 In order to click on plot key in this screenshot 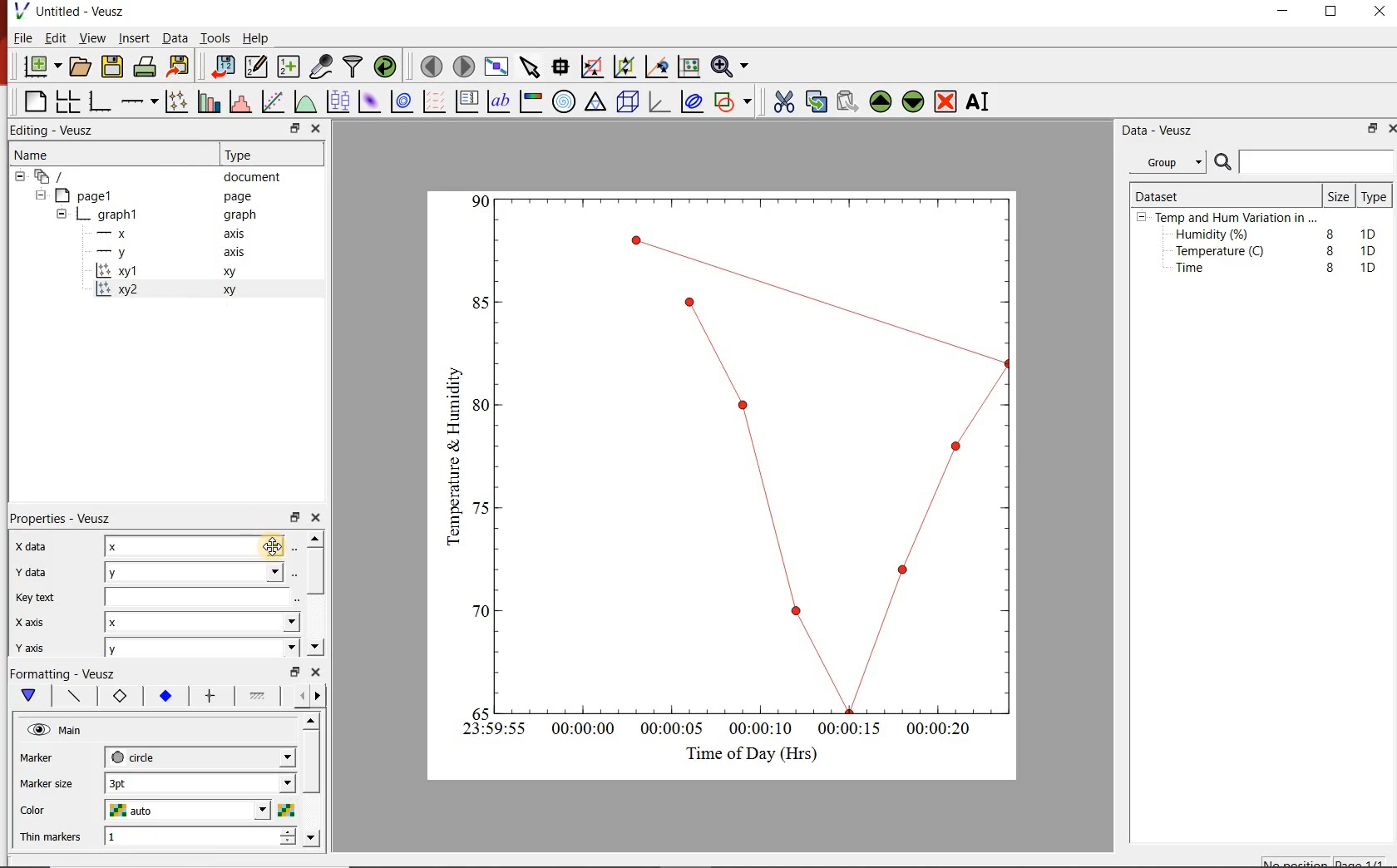, I will do `click(470, 101)`.